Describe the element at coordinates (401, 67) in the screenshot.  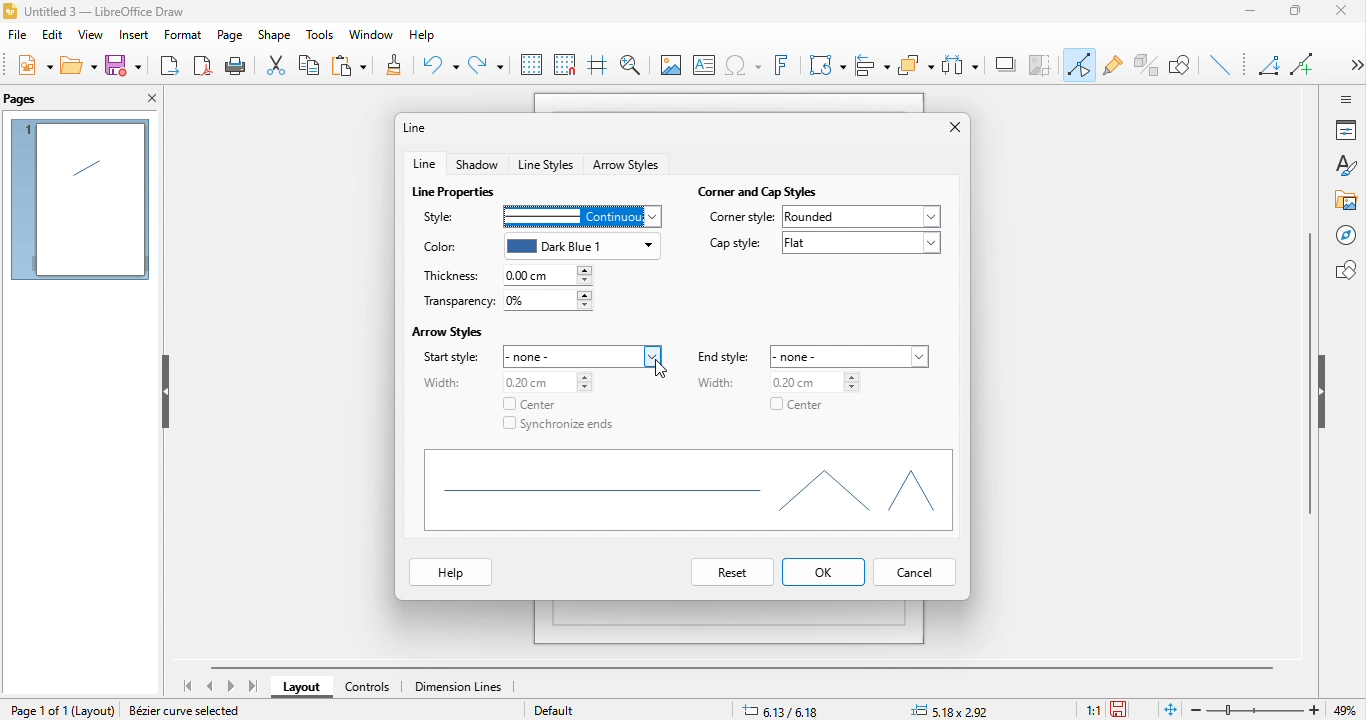
I see `clone formatting` at that location.